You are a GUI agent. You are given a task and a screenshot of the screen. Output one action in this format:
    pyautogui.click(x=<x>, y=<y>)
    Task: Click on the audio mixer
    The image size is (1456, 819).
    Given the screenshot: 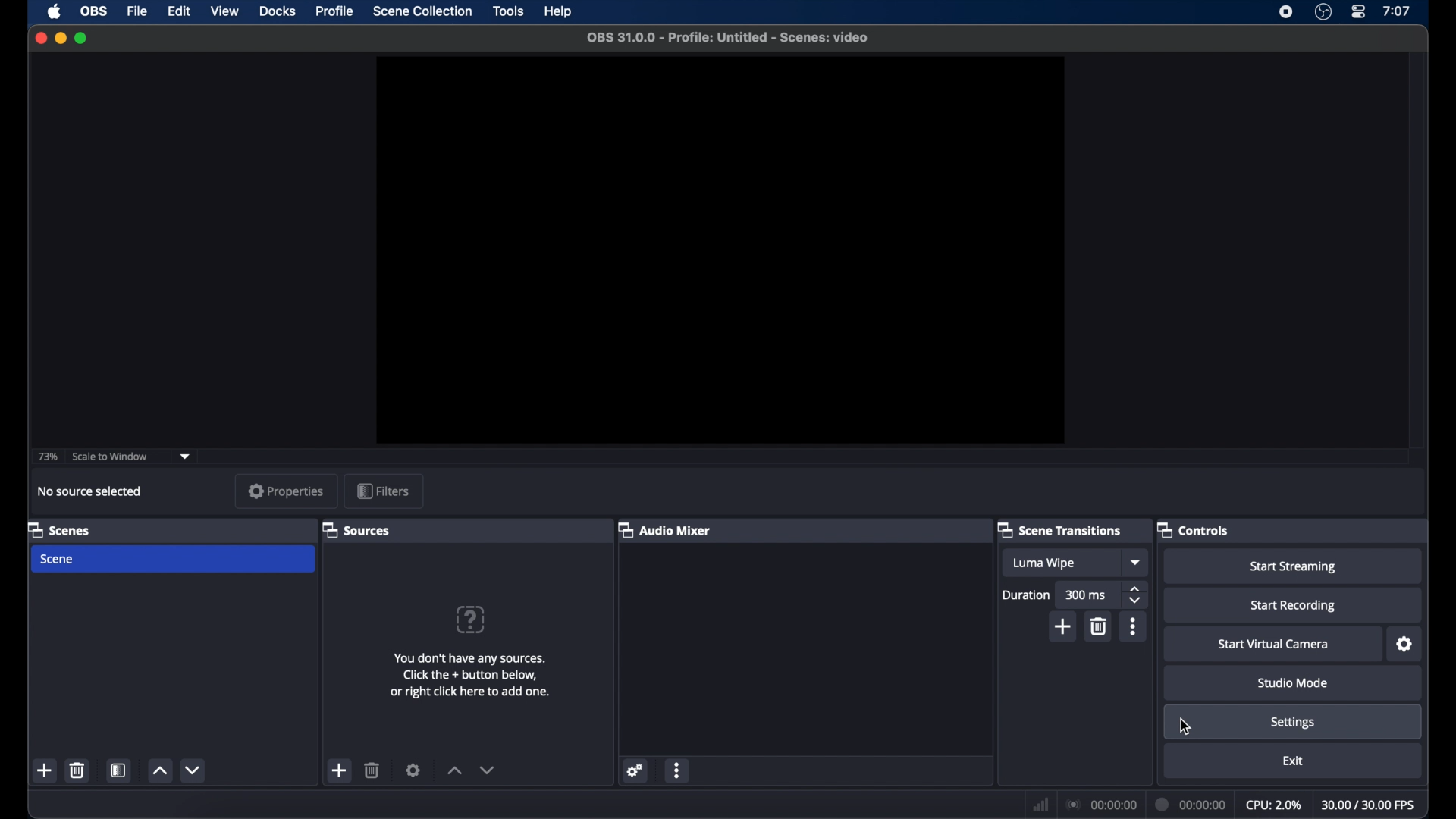 What is the action you would take?
    pyautogui.click(x=664, y=529)
    